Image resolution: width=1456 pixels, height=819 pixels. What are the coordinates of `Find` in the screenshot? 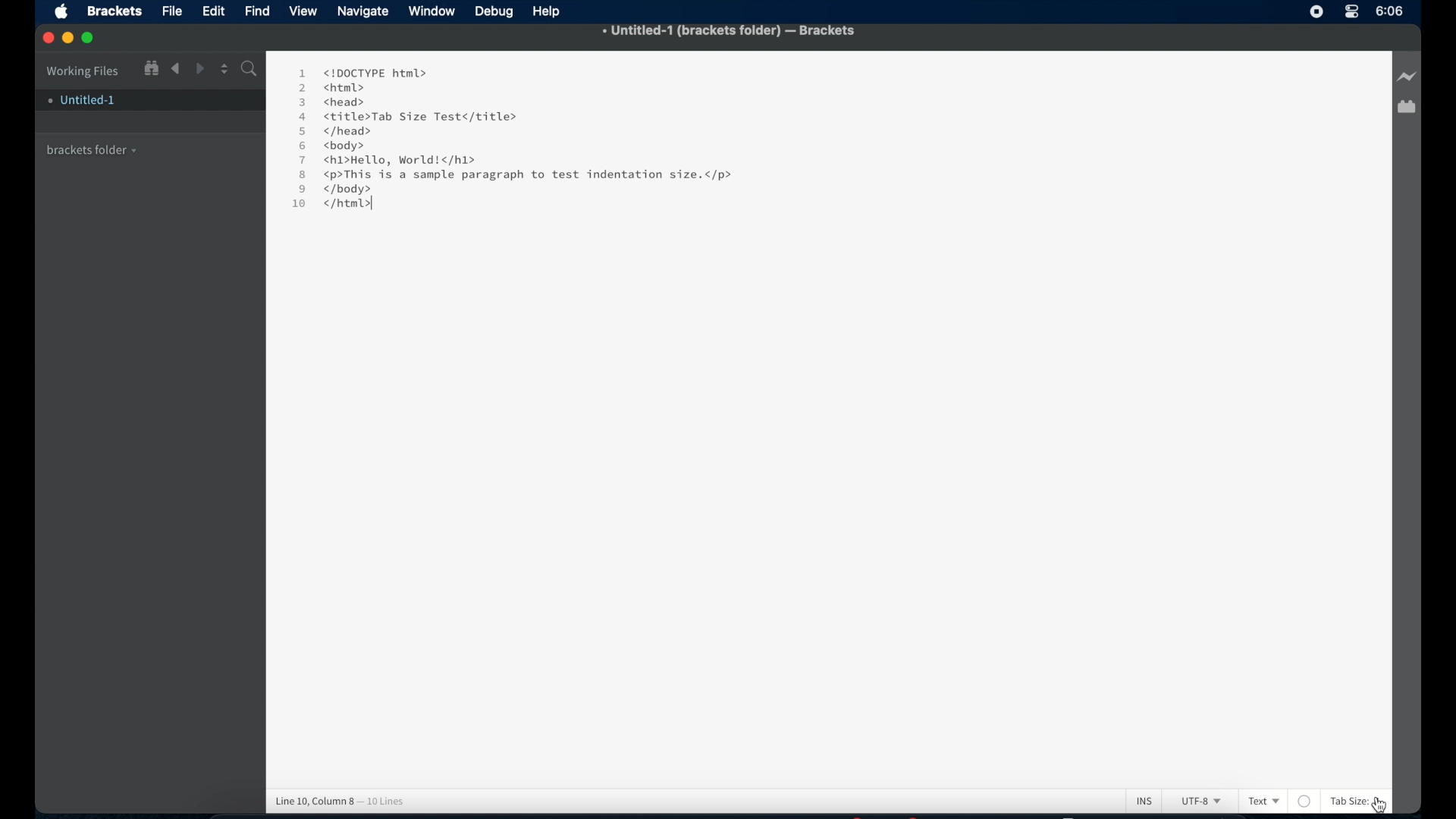 It's located at (248, 71).